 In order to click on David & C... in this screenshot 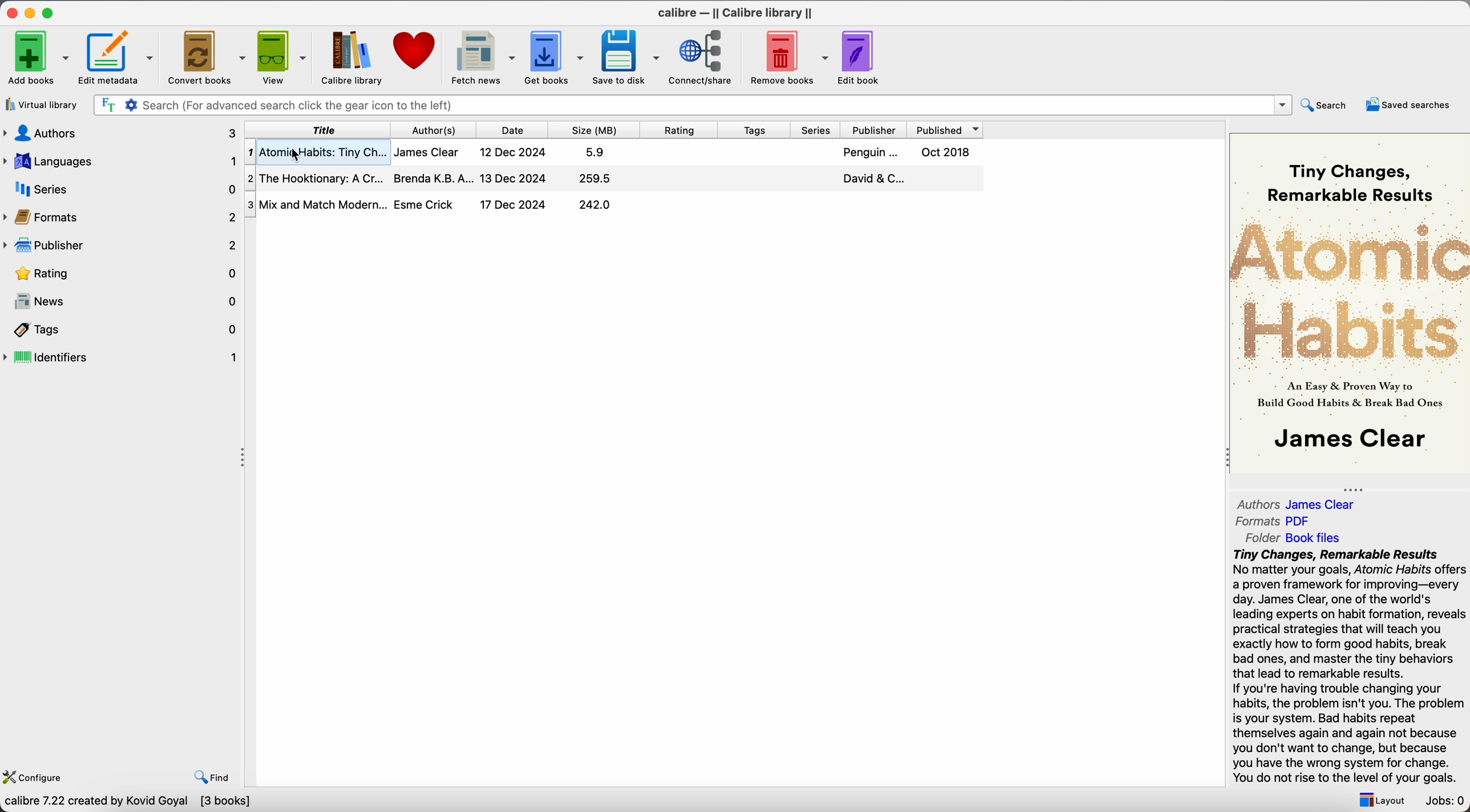, I will do `click(871, 178)`.